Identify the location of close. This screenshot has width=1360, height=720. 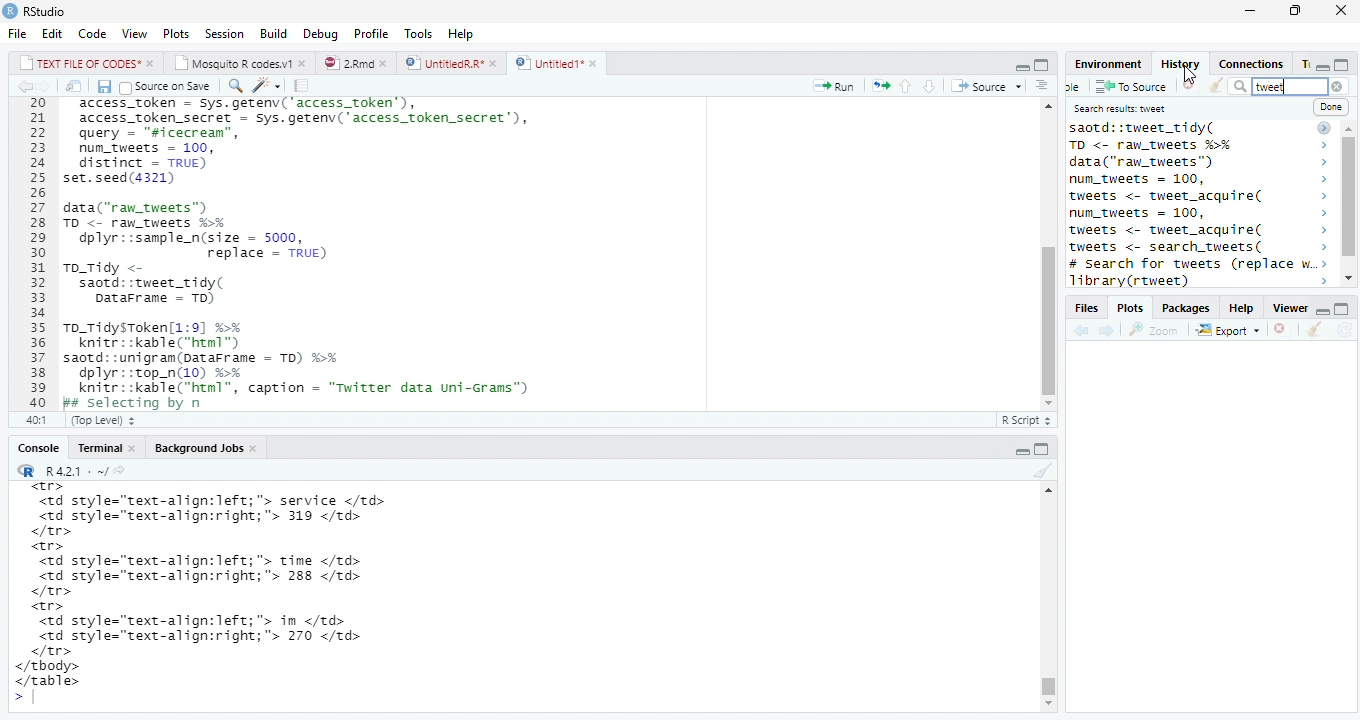
(1344, 12).